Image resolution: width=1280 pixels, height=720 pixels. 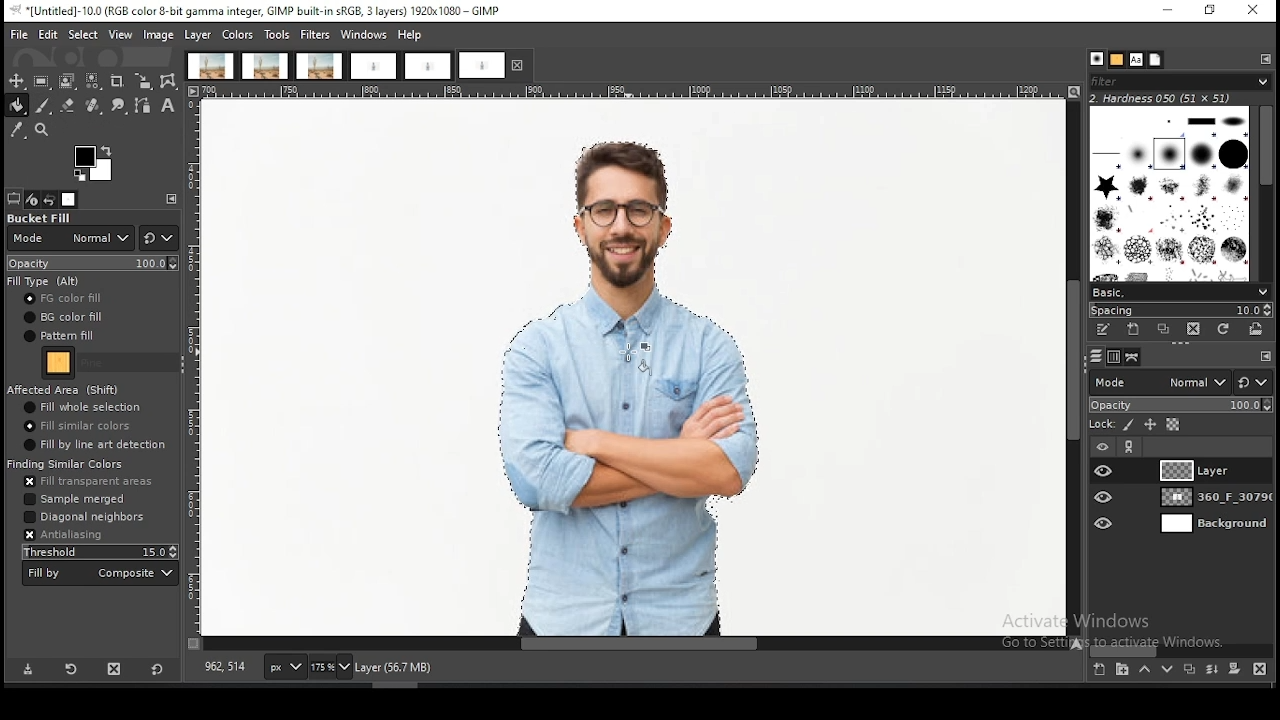 I want to click on scroll bar, so click(x=1264, y=194).